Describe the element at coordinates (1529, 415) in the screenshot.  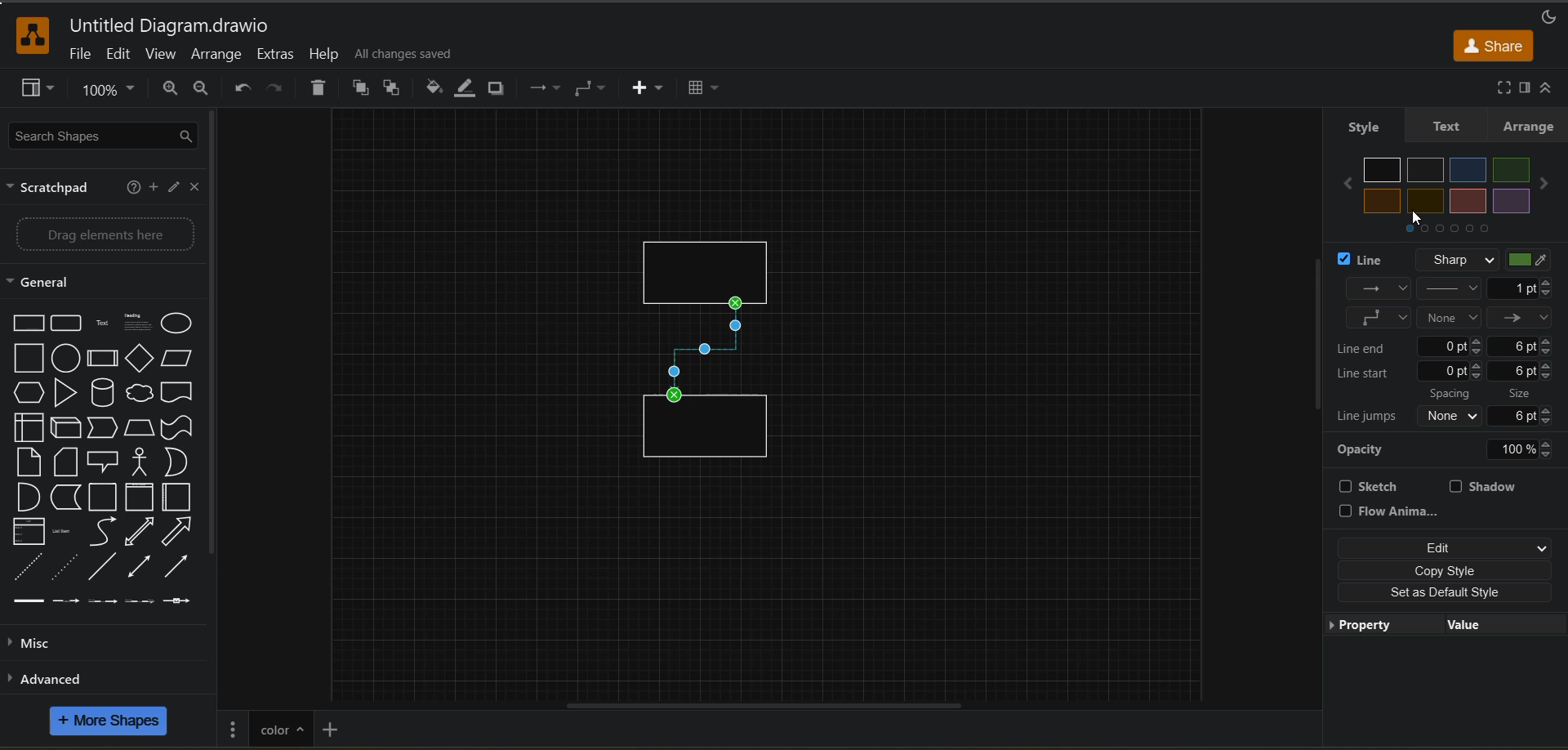
I see `6pt` at that location.